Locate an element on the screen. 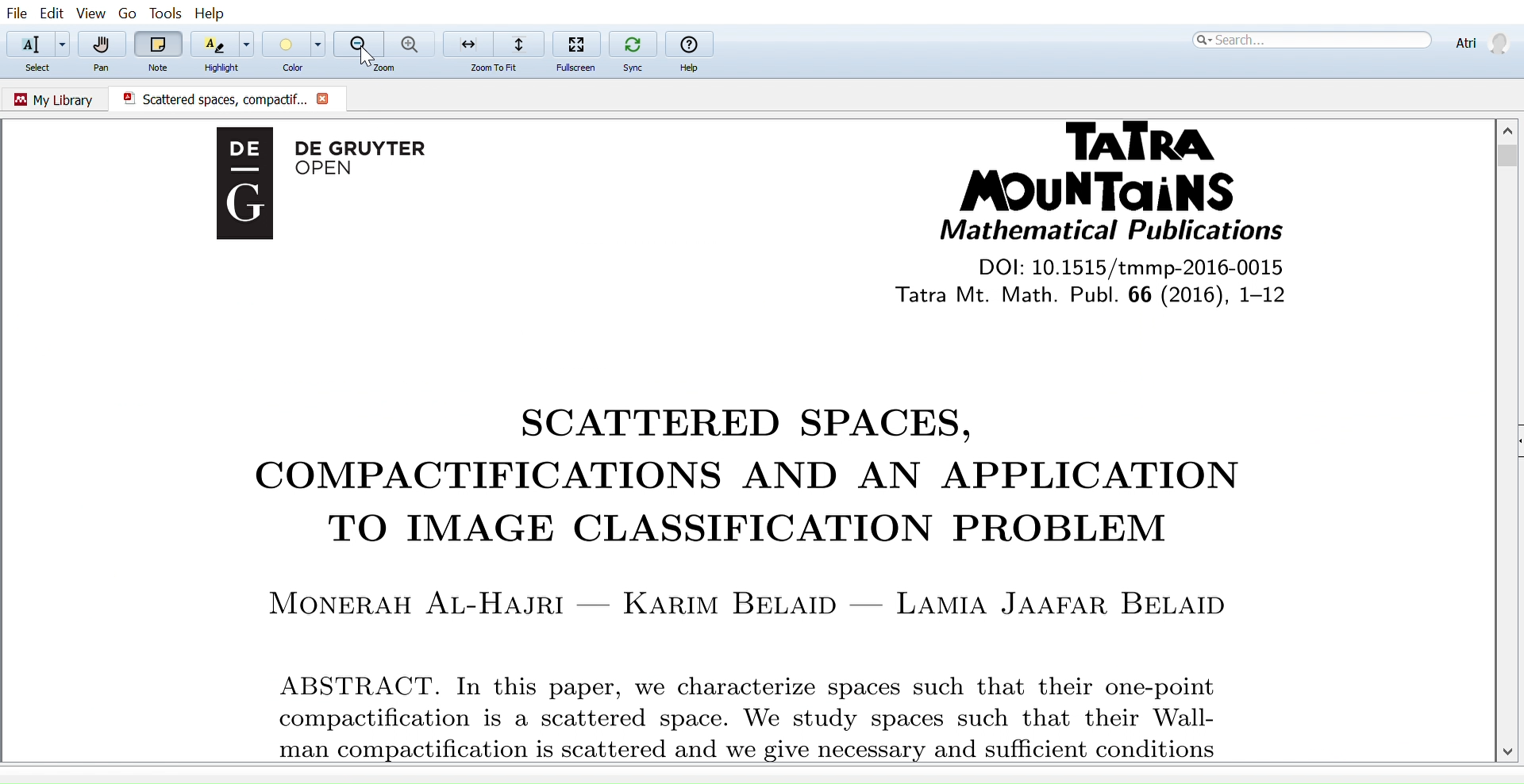 The width and height of the screenshot is (1524, 784). compactification is a scattered space. We study spaces such that their Wall- is located at coordinates (747, 719).